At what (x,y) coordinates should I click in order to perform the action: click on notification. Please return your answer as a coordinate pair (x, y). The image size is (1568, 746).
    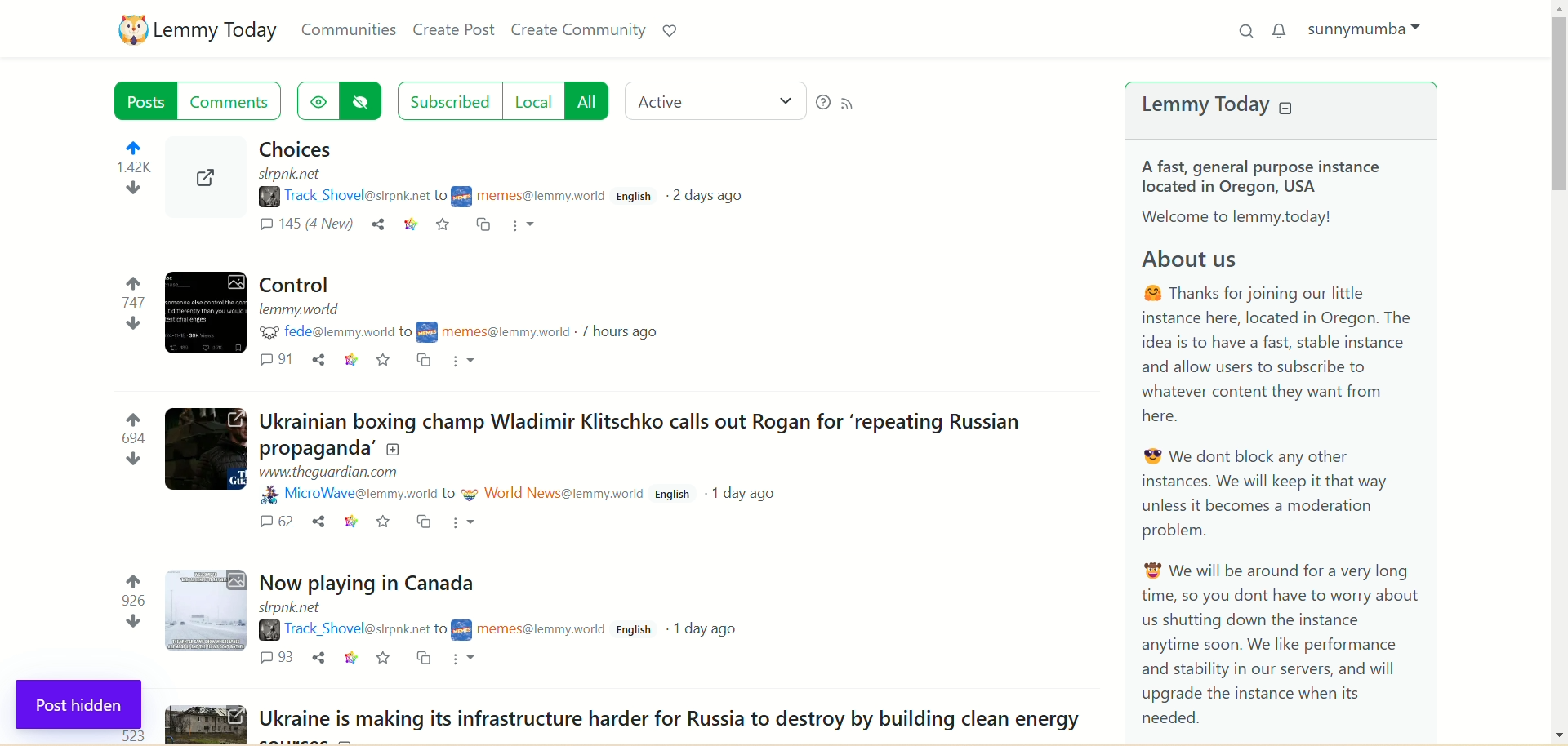
    Looking at the image, I should click on (1280, 29).